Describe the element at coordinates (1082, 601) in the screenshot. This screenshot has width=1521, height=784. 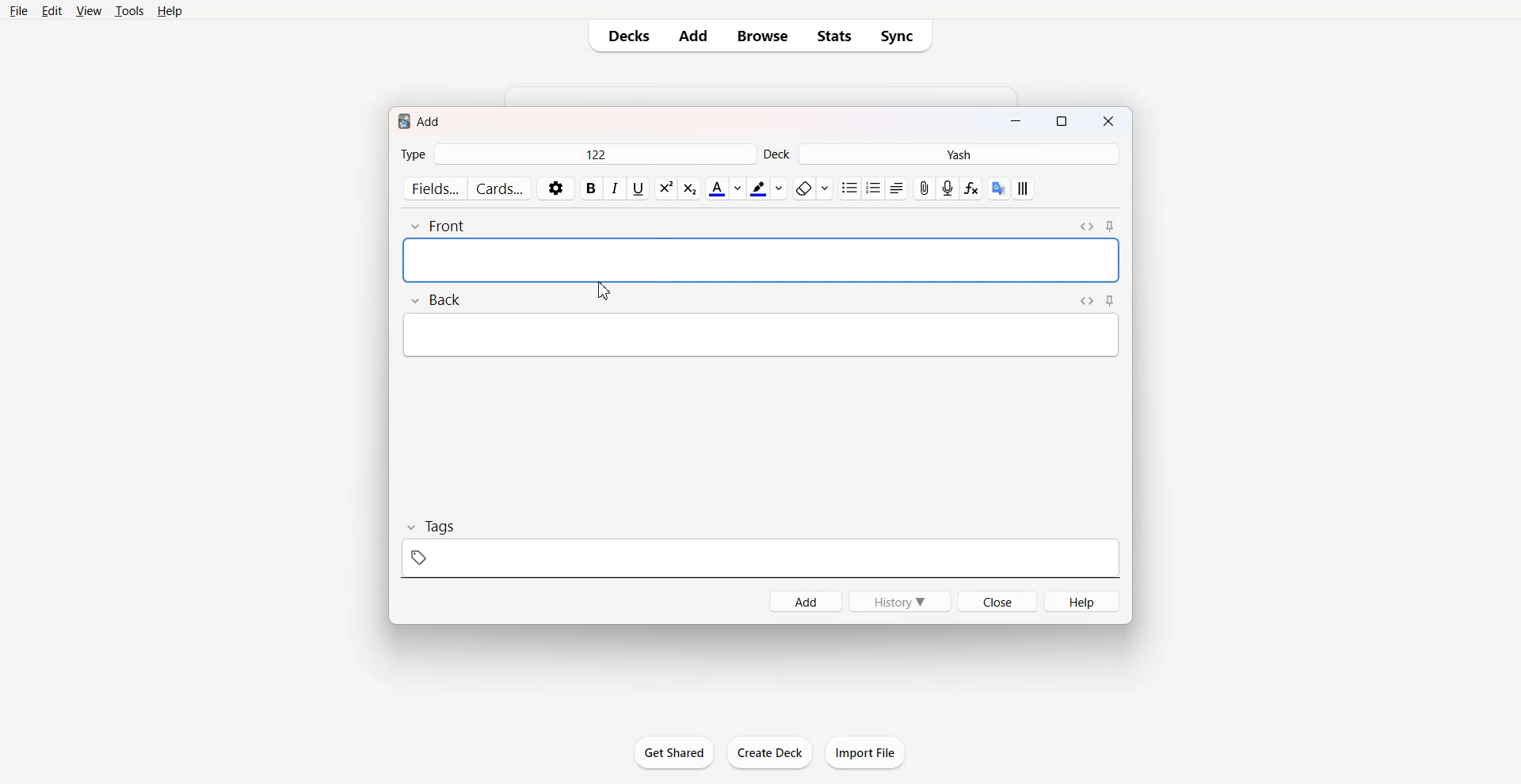
I see `Help` at that location.